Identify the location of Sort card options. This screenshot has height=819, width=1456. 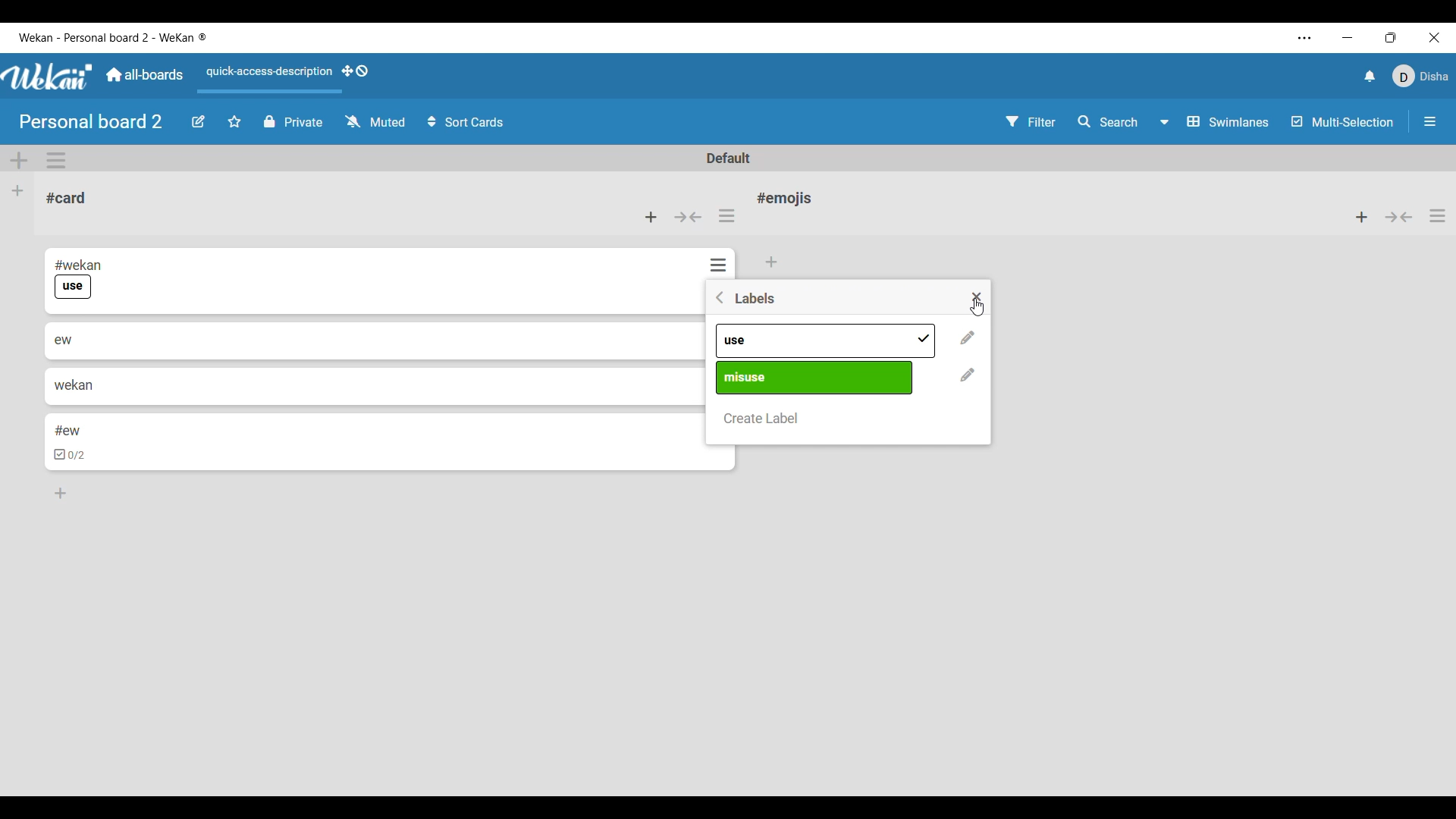
(466, 121).